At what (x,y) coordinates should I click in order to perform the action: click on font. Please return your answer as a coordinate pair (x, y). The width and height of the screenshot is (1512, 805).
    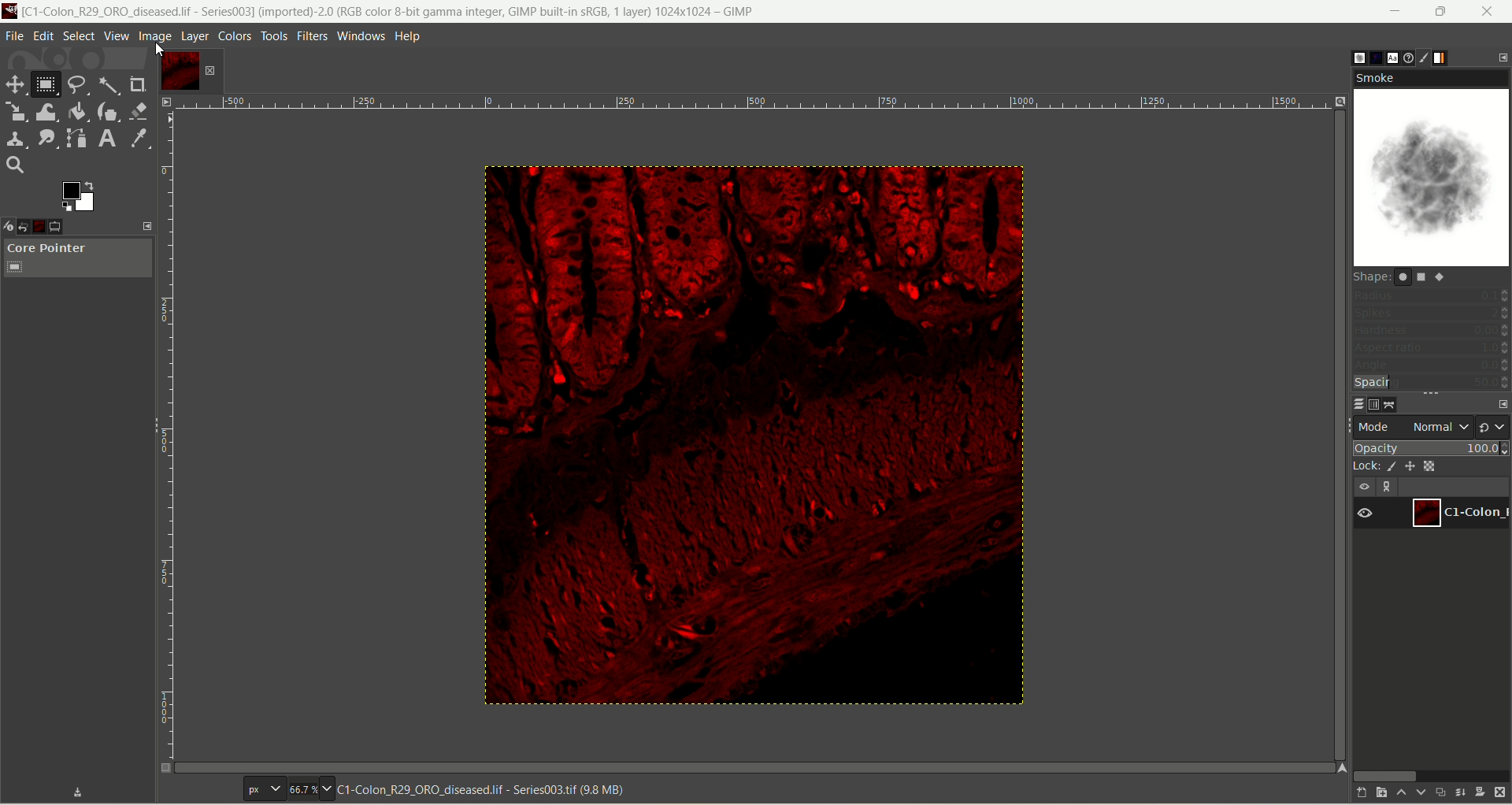
    Looking at the image, I should click on (1394, 57).